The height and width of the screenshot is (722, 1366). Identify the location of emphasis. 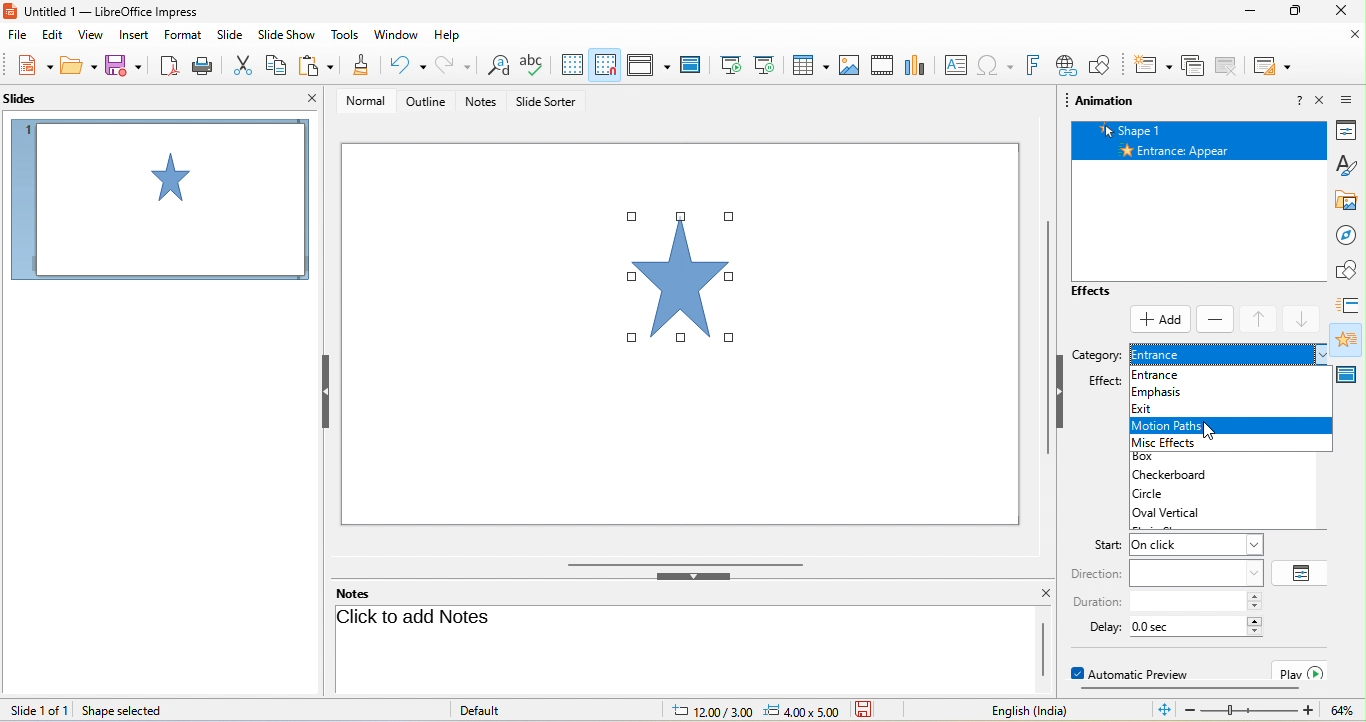
(1198, 391).